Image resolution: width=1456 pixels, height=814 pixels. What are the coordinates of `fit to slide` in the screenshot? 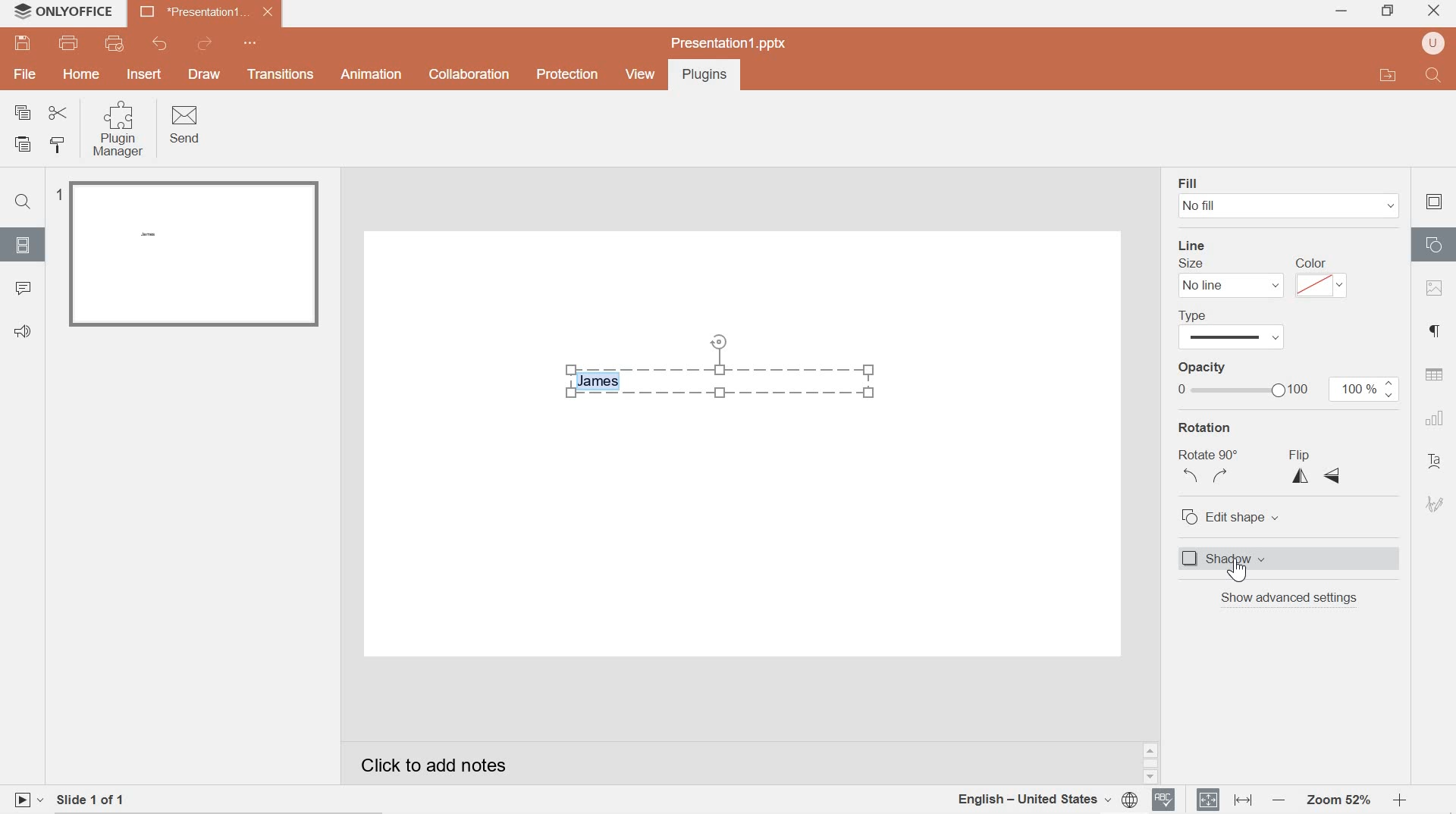 It's located at (1208, 800).